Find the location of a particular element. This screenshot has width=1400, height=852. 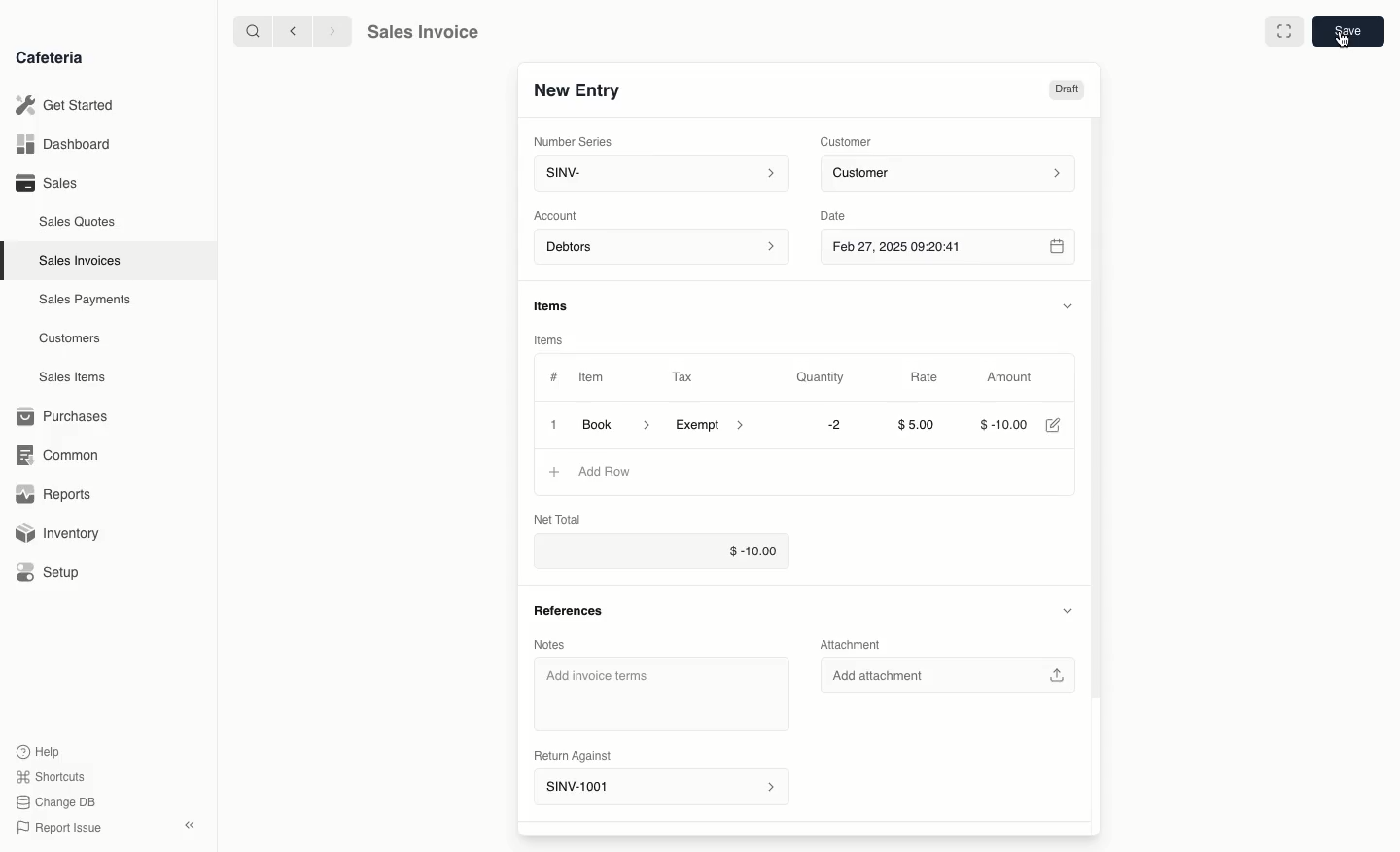

Book > is located at coordinates (619, 423).